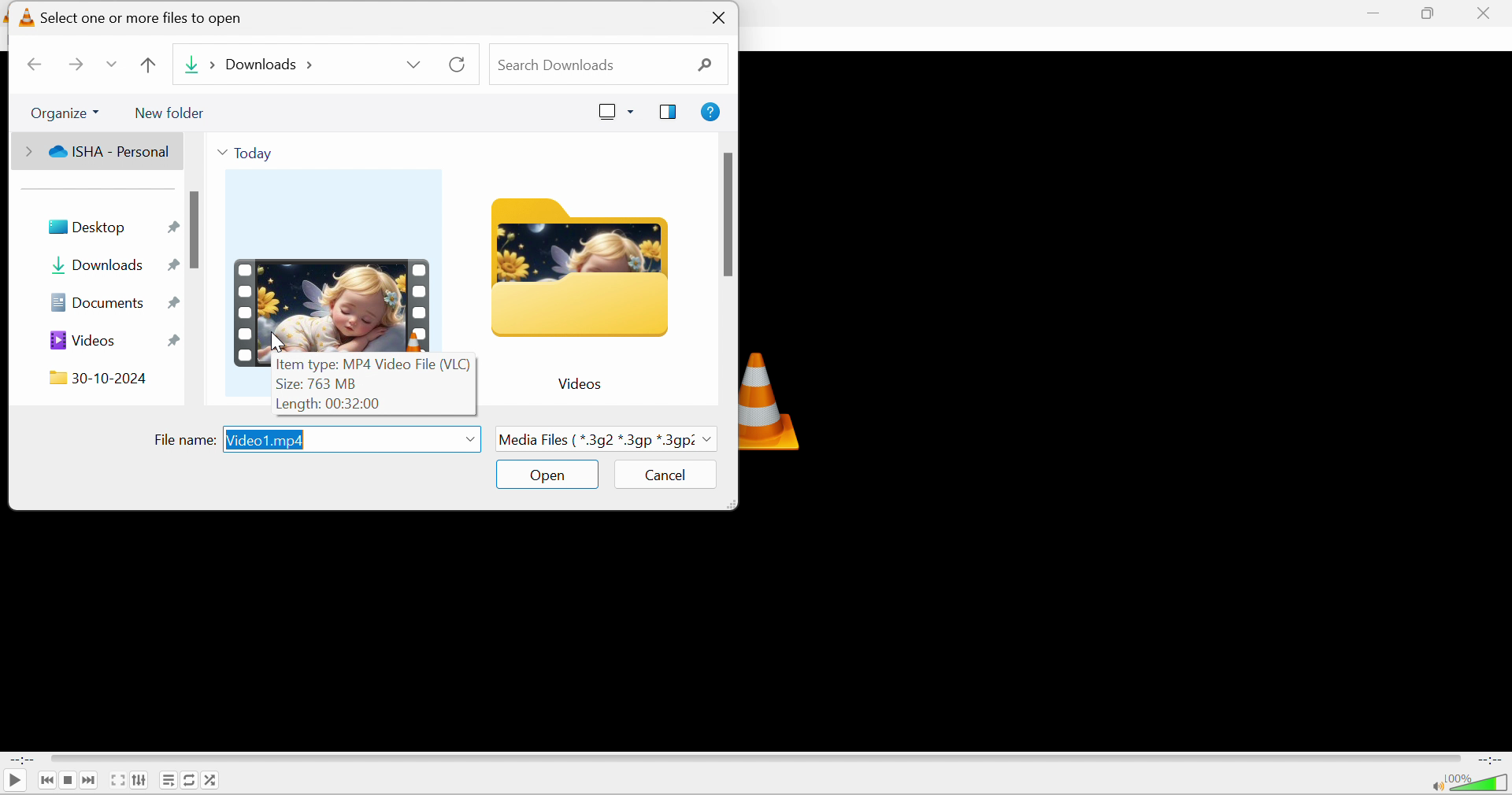 Image resolution: width=1512 pixels, height=795 pixels. I want to click on Videos, so click(83, 342).